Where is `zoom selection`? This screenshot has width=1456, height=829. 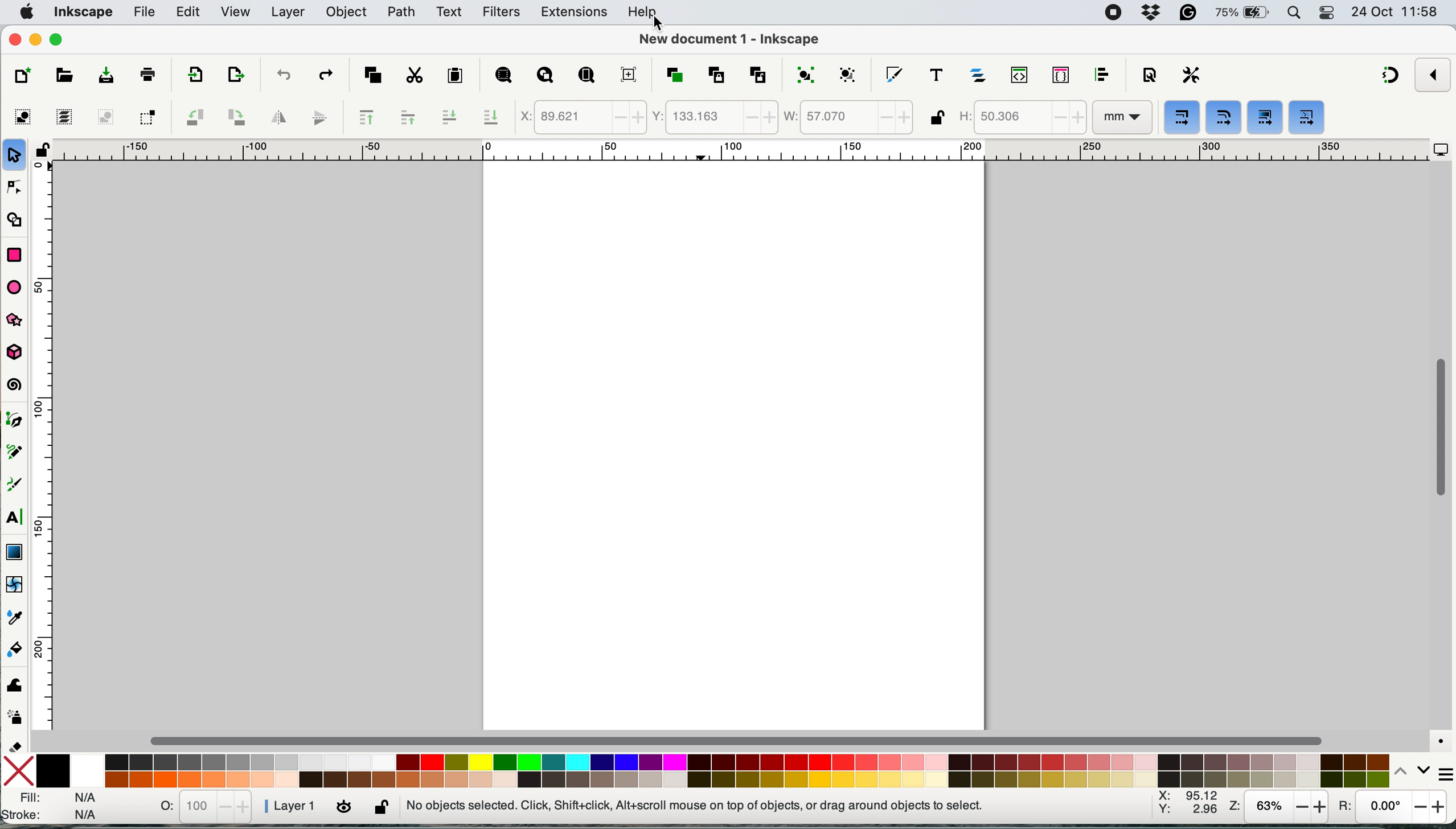 zoom selection is located at coordinates (501, 75).